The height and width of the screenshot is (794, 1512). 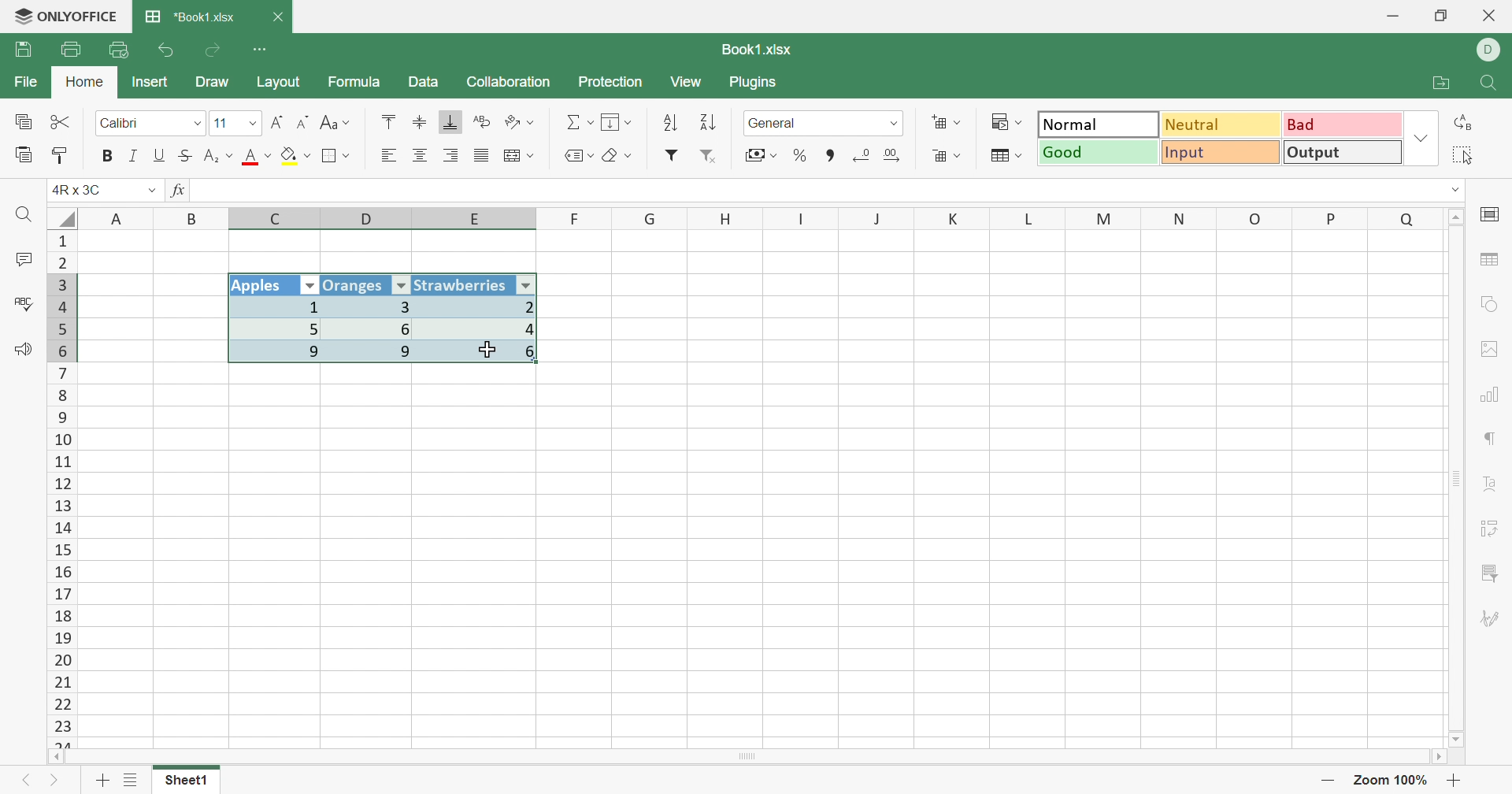 What do you see at coordinates (757, 84) in the screenshot?
I see `Plugins` at bounding box center [757, 84].